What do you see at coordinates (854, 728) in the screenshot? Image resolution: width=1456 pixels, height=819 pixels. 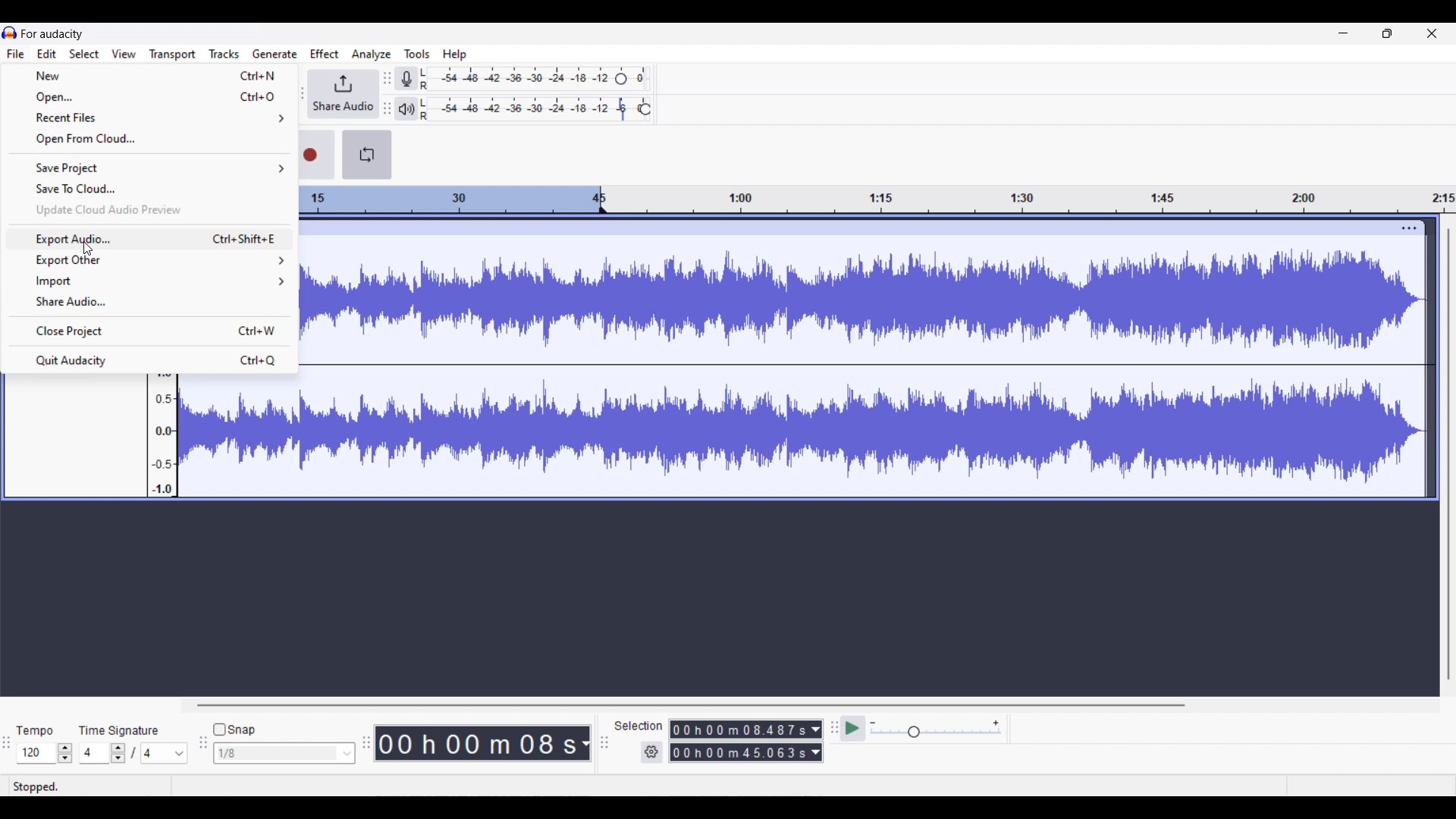 I see `Play at speed/Play at speed once` at bounding box center [854, 728].